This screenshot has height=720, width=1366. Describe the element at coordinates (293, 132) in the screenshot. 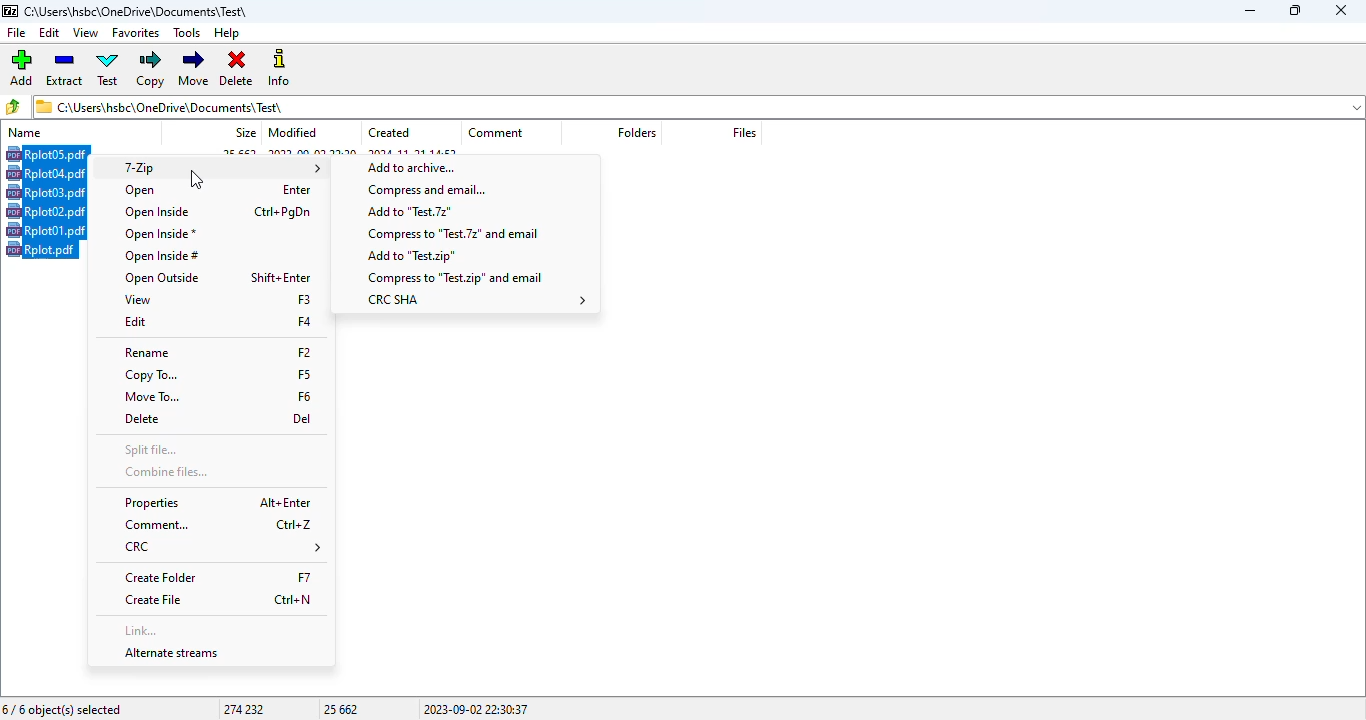

I see `modified` at that location.